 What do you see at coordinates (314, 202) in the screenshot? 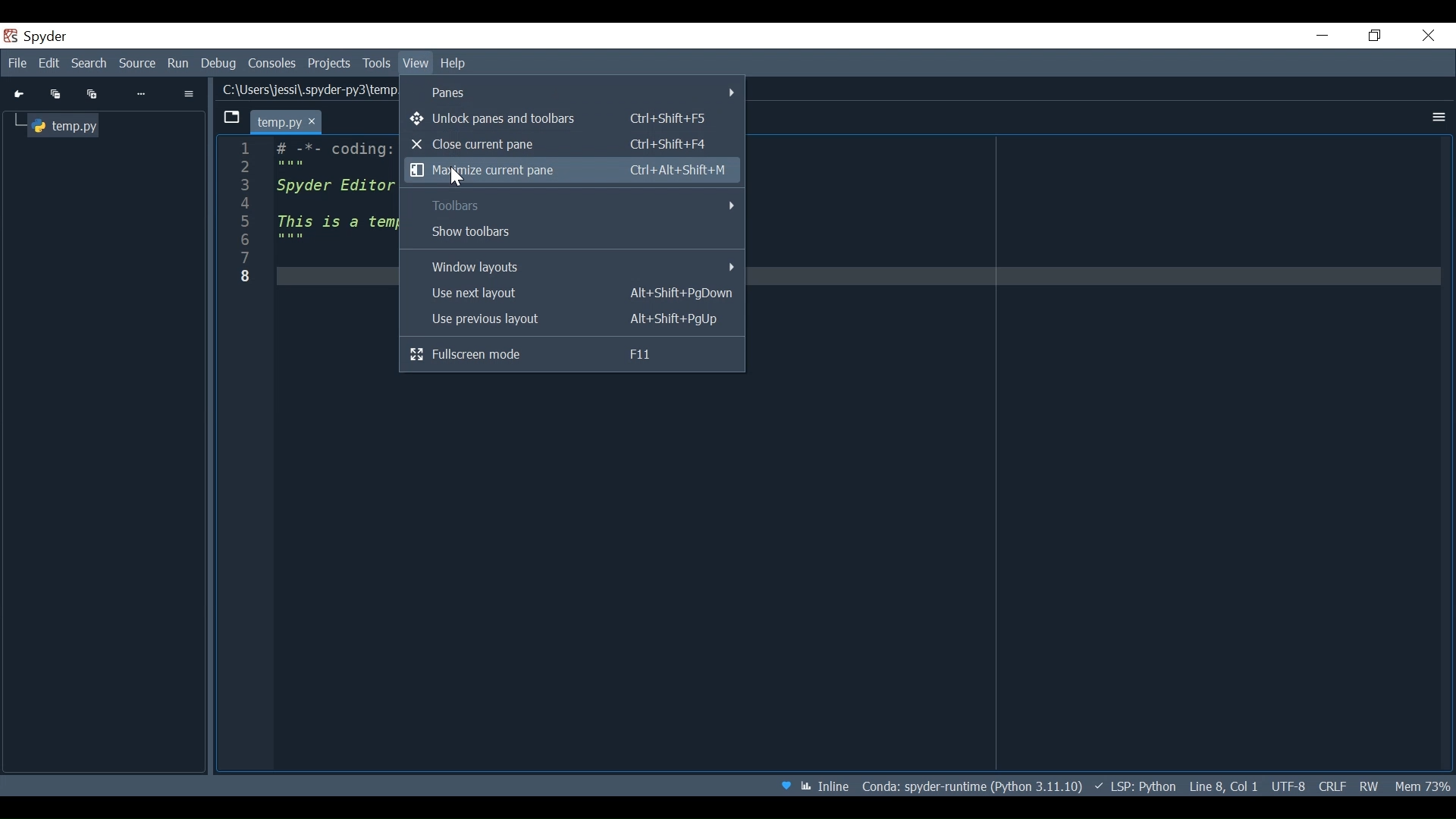
I see `# -%- coding:
Spyder Editor
This is a tem` at bounding box center [314, 202].